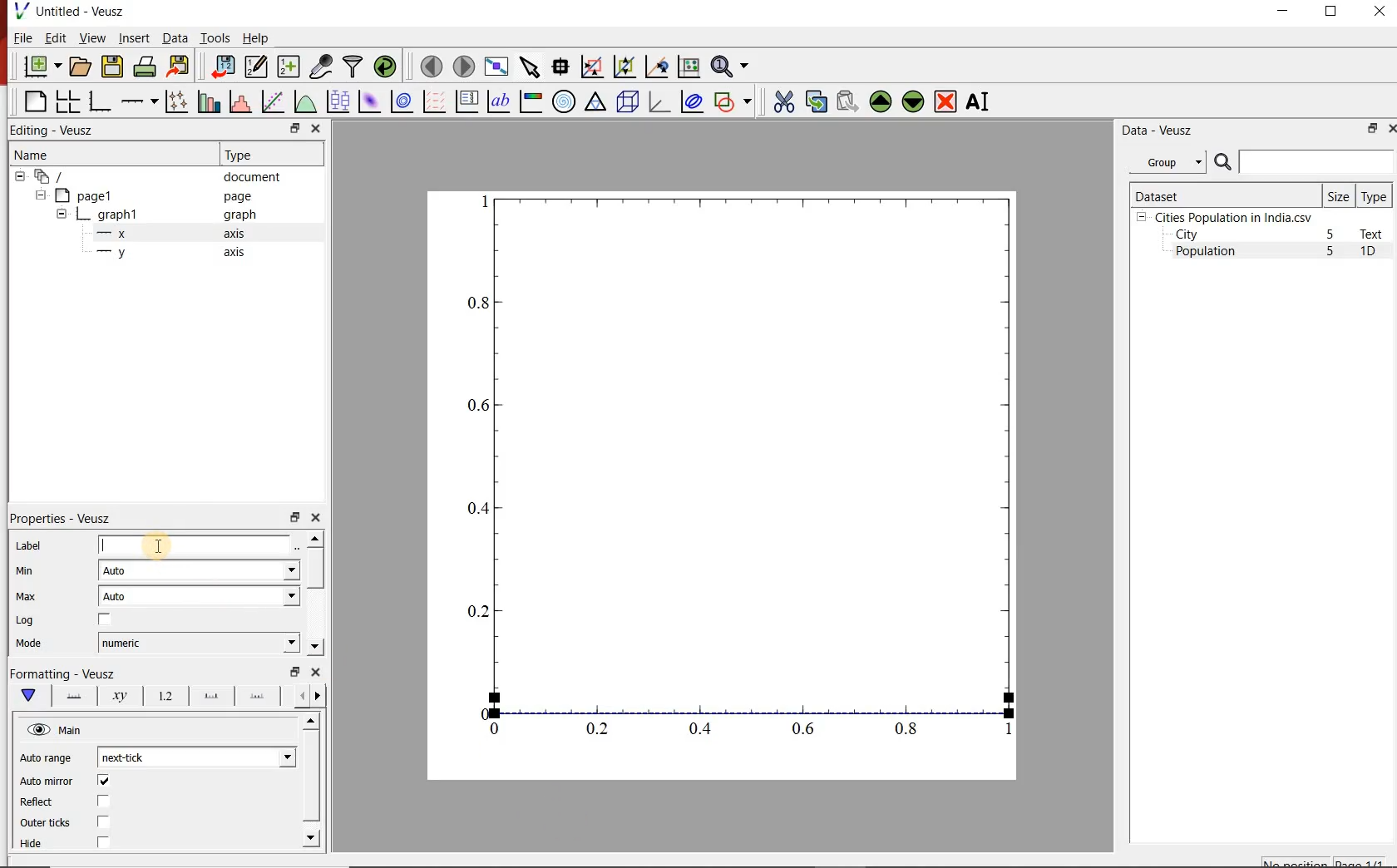  What do you see at coordinates (498, 101) in the screenshot?
I see `text label` at bounding box center [498, 101].